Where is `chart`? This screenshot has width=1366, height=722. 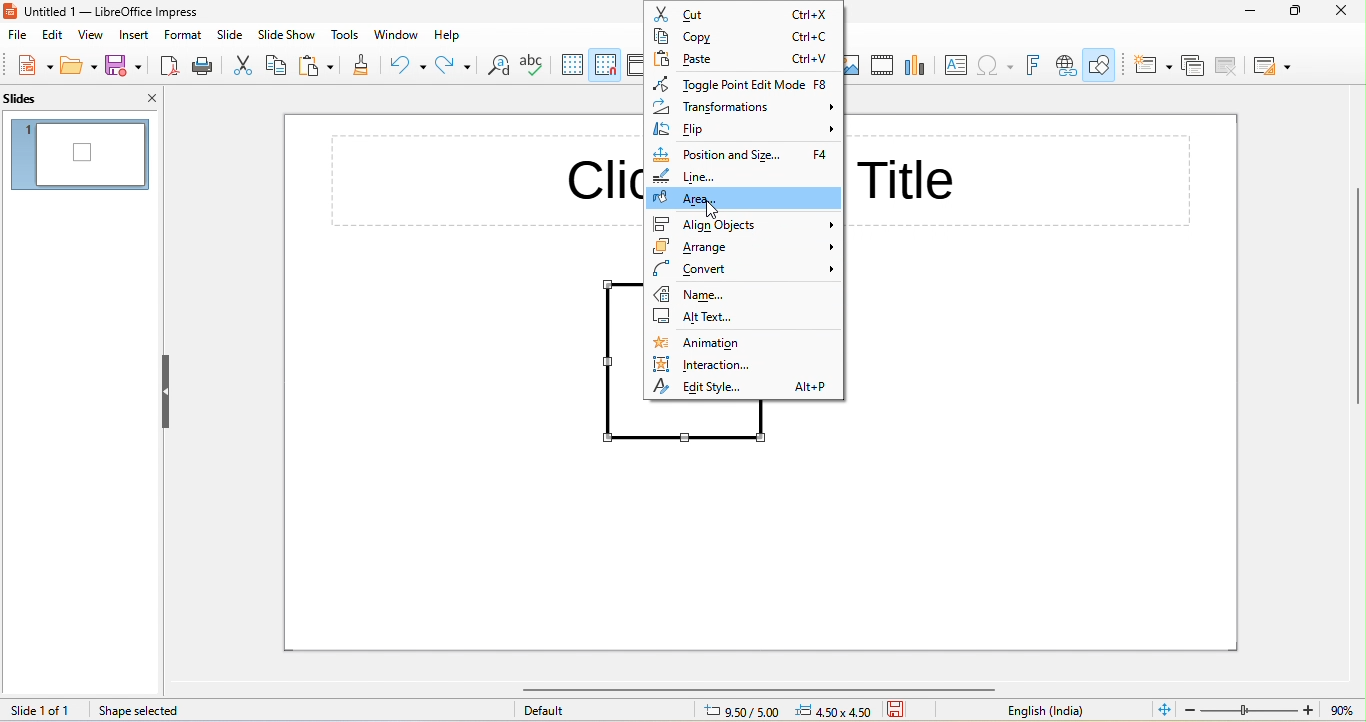 chart is located at coordinates (916, 67).